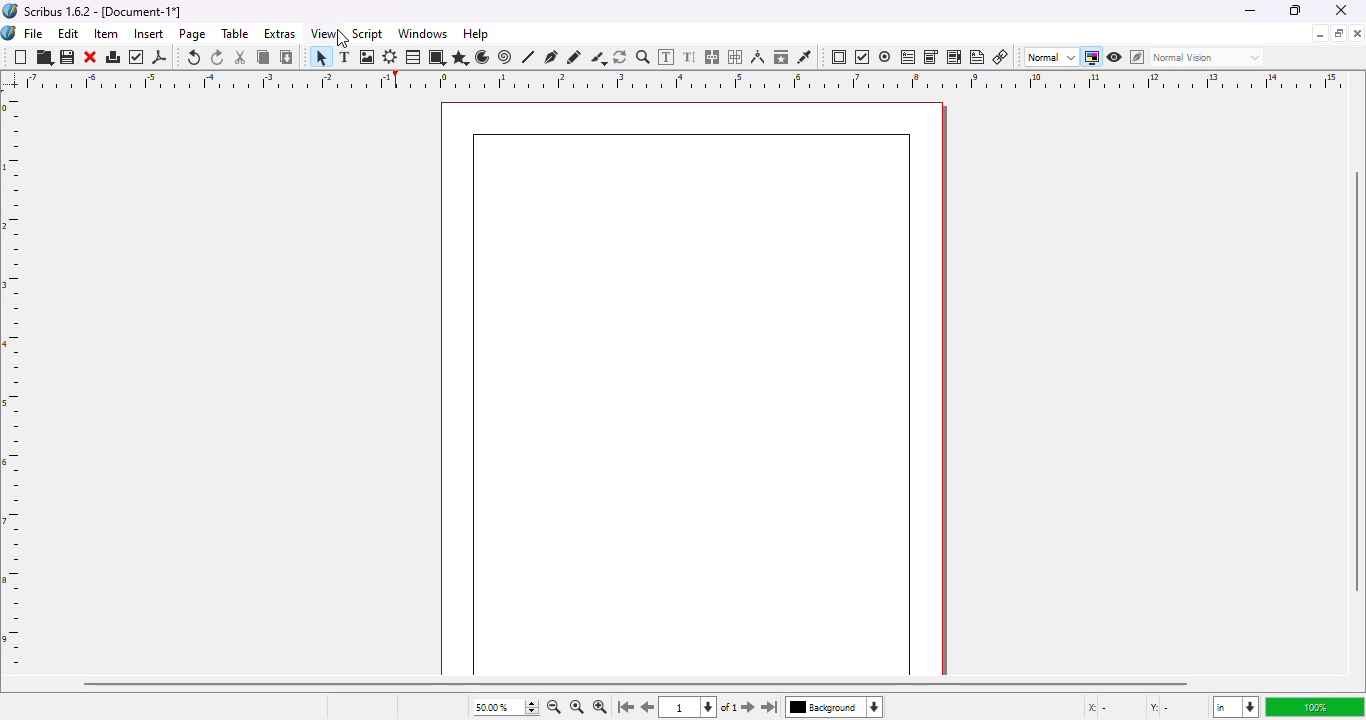  I want to click on edit text with story editor, so click(690, 57).